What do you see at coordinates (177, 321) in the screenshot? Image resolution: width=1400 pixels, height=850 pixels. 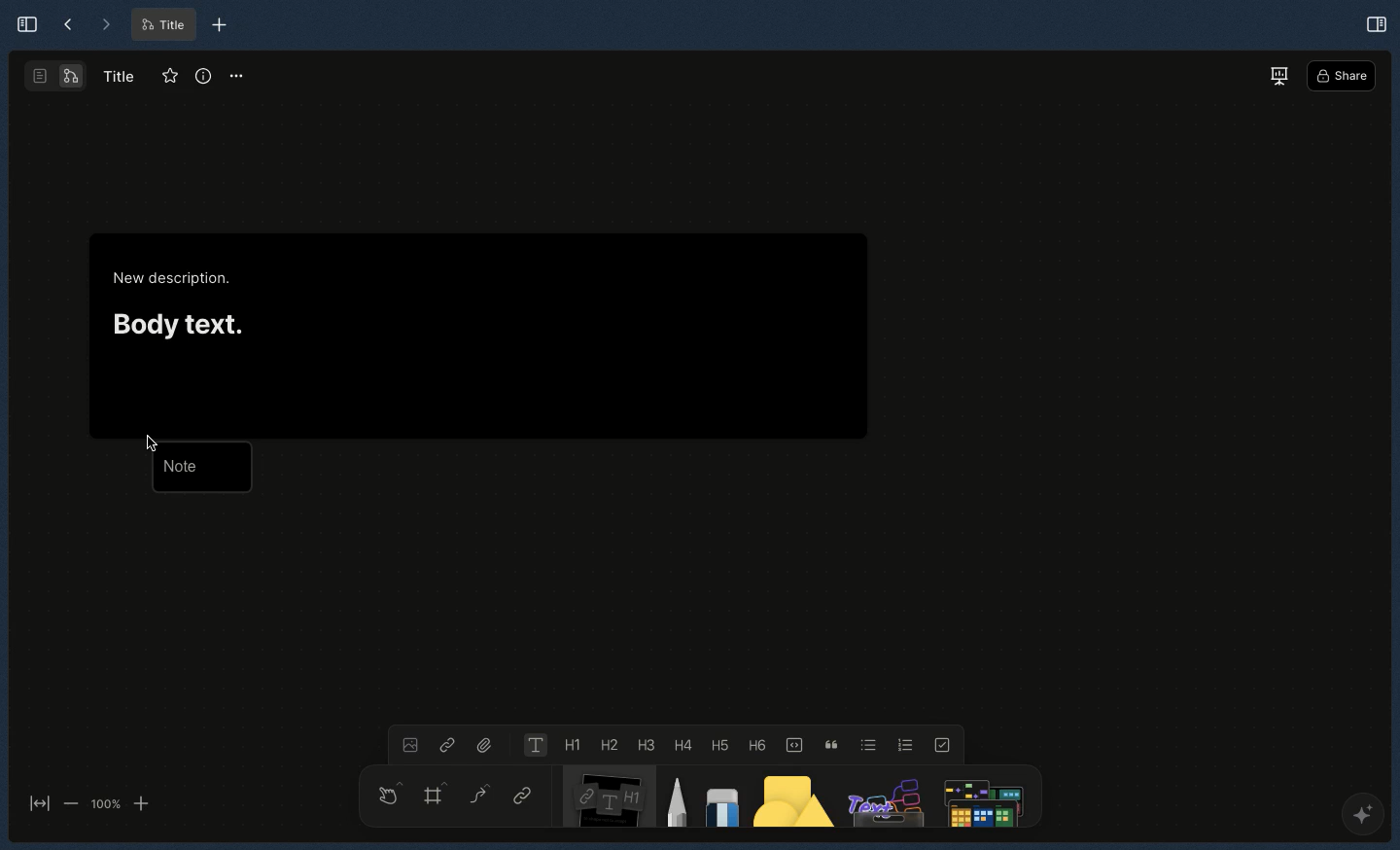 I see `Body text.` at bounding box center [177, 321].